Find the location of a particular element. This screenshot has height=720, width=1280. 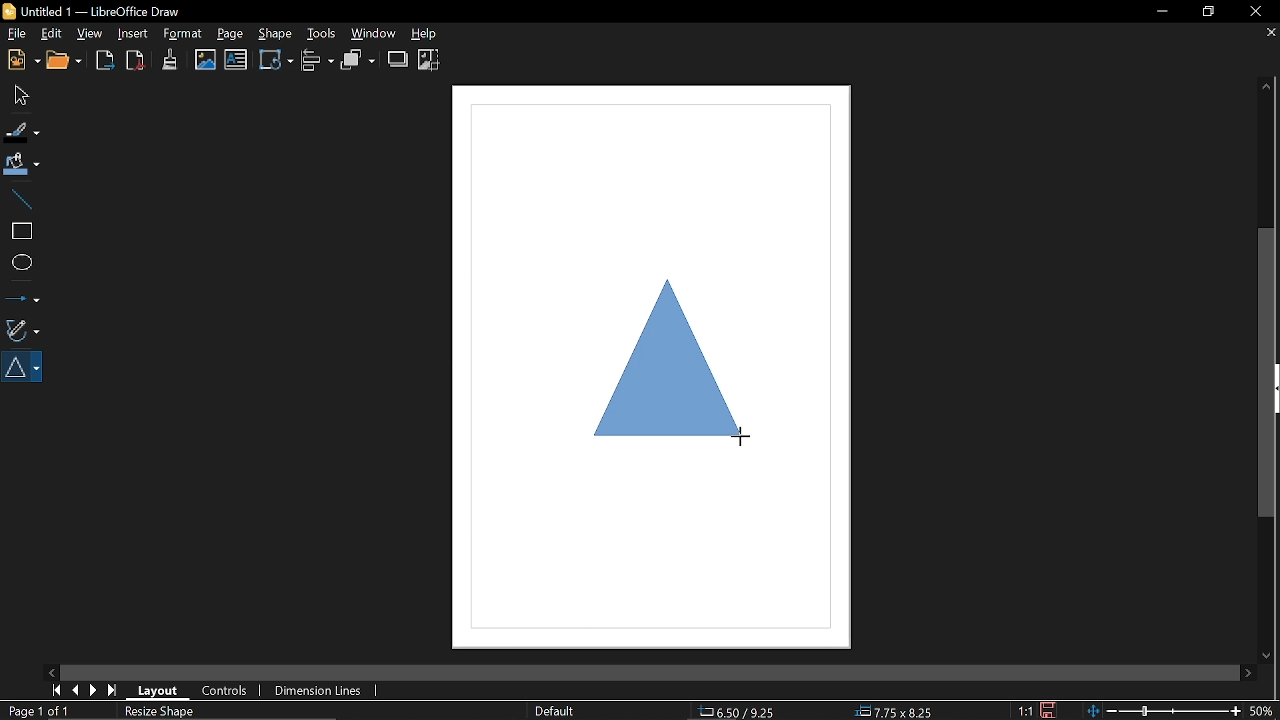

Insert is located at coordinates (133, 34).